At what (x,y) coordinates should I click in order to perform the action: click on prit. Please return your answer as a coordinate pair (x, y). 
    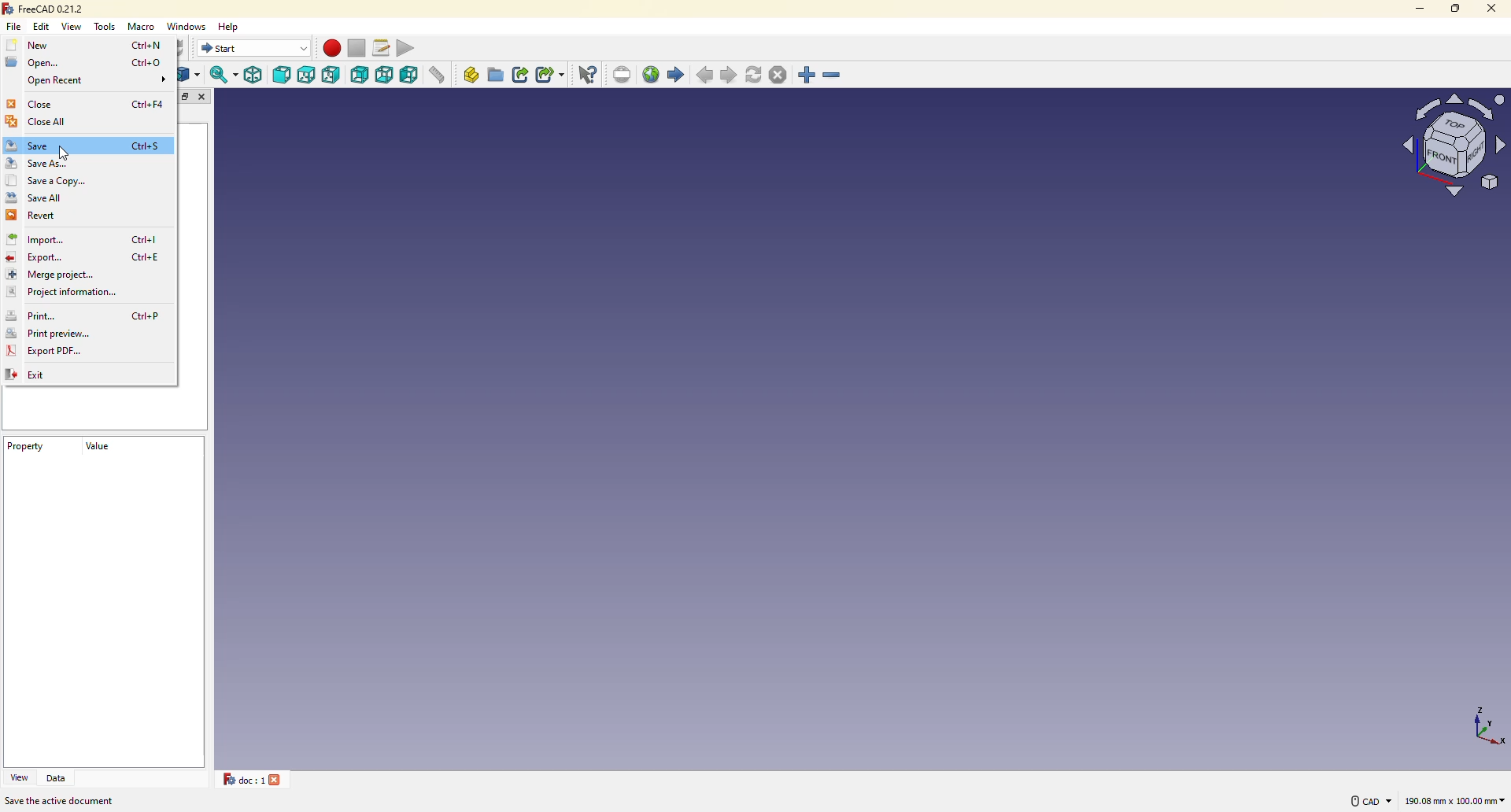
    Looking at the image, I should click on (38, 316).